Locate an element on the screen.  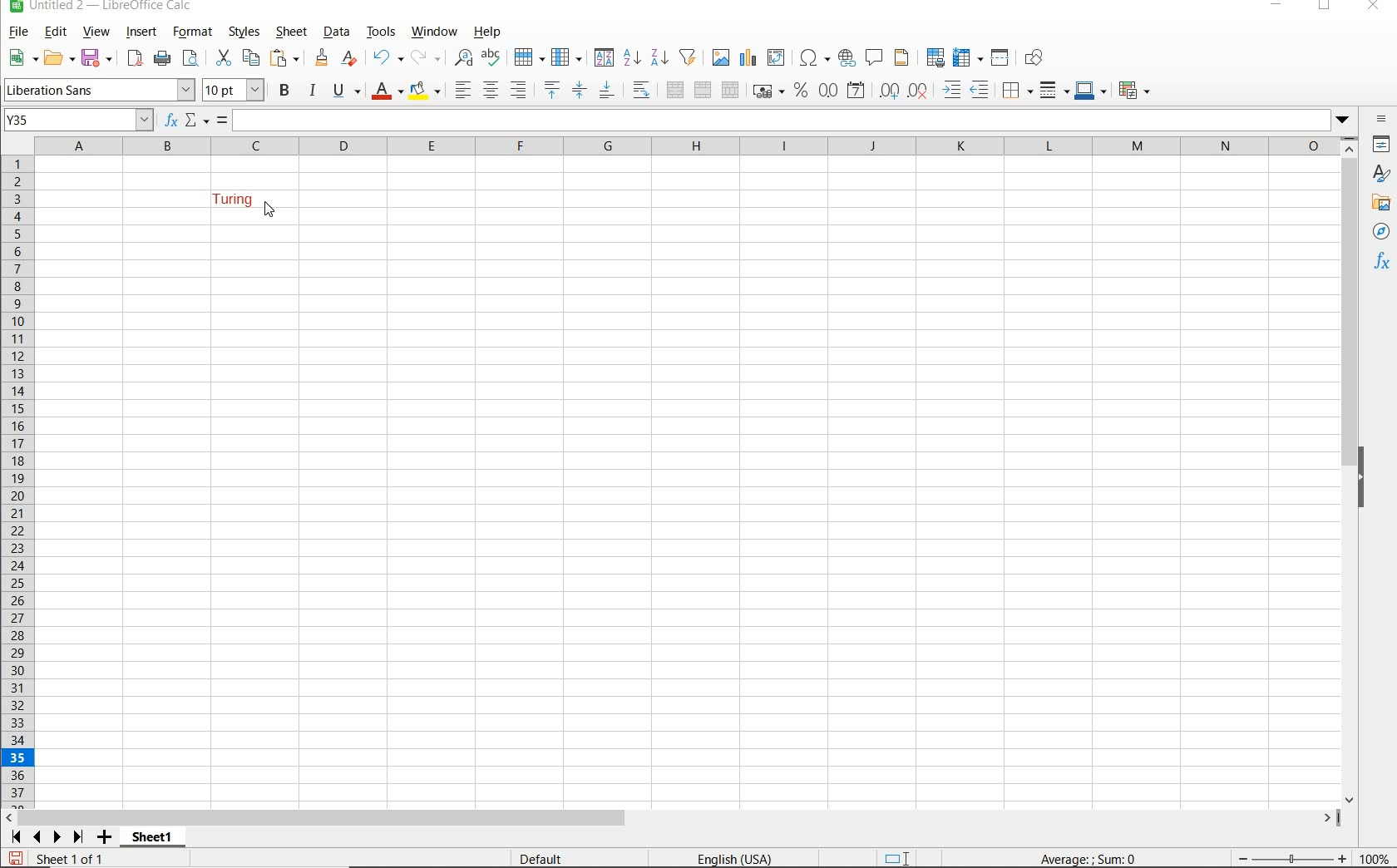
SAVE is located at coordinates (96, 57).